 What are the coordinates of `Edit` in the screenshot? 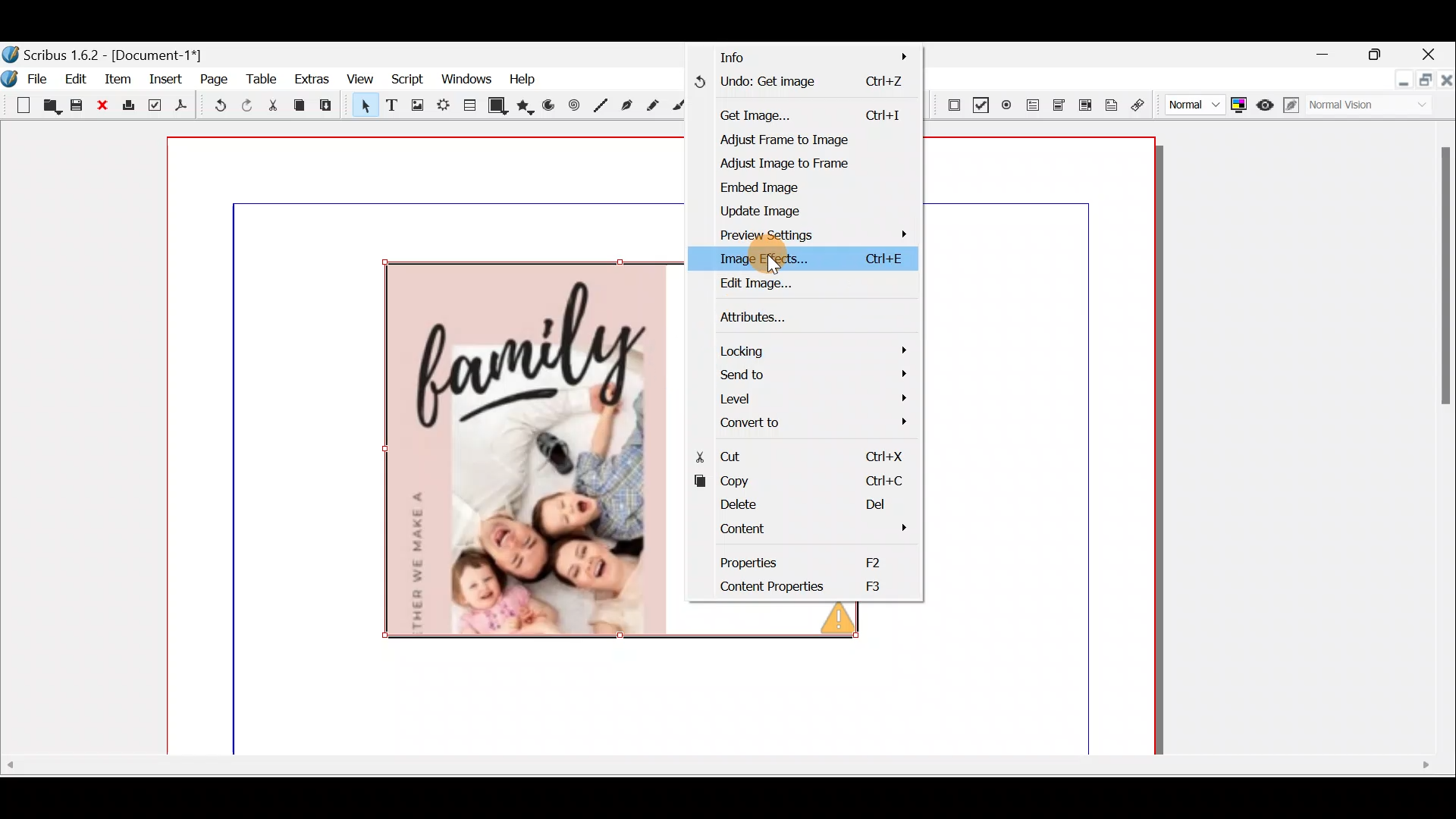 It's located at (78, 78).